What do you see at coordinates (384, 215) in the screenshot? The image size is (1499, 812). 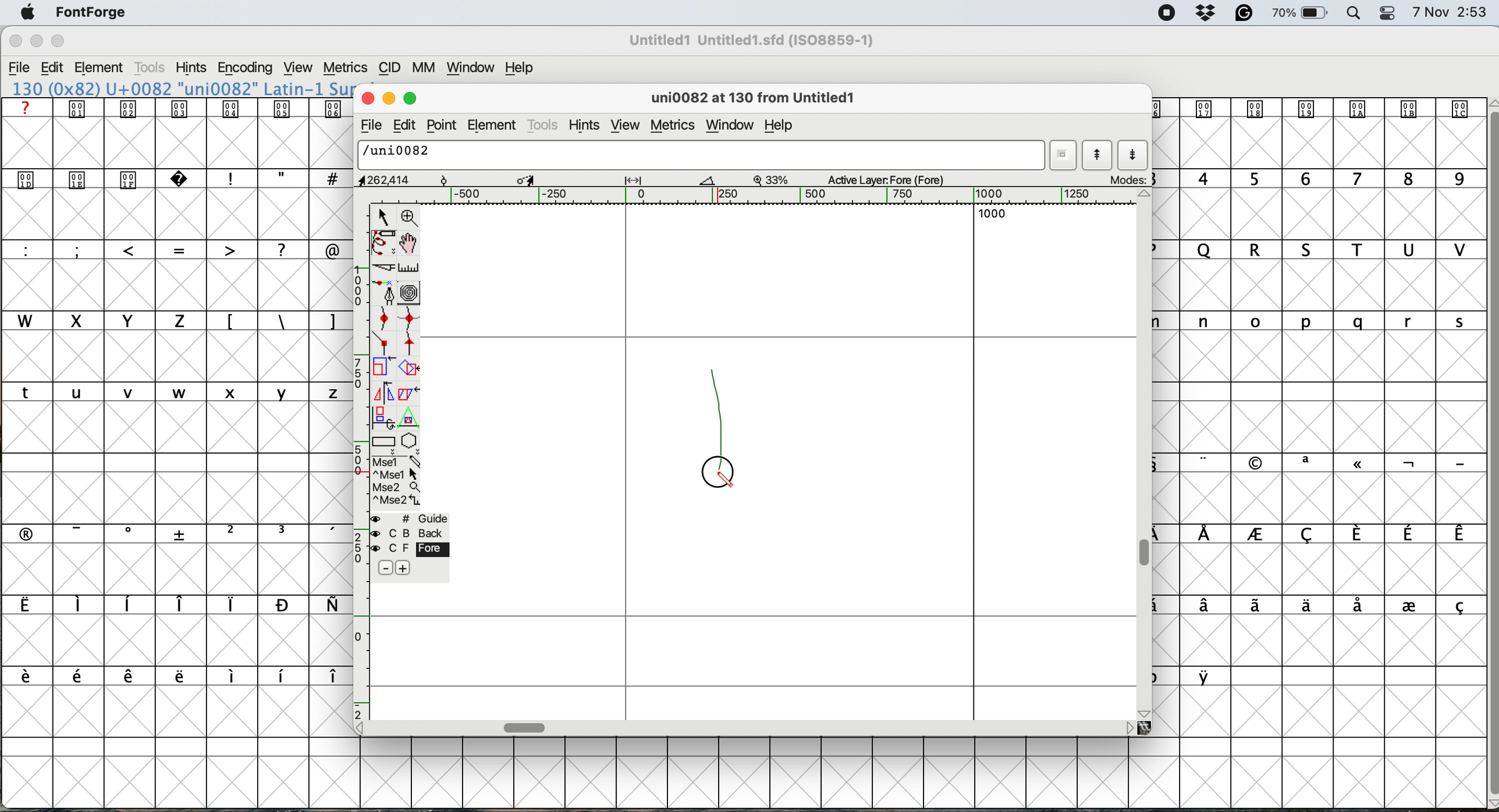 I see `select` at bounding box center [384, 215].